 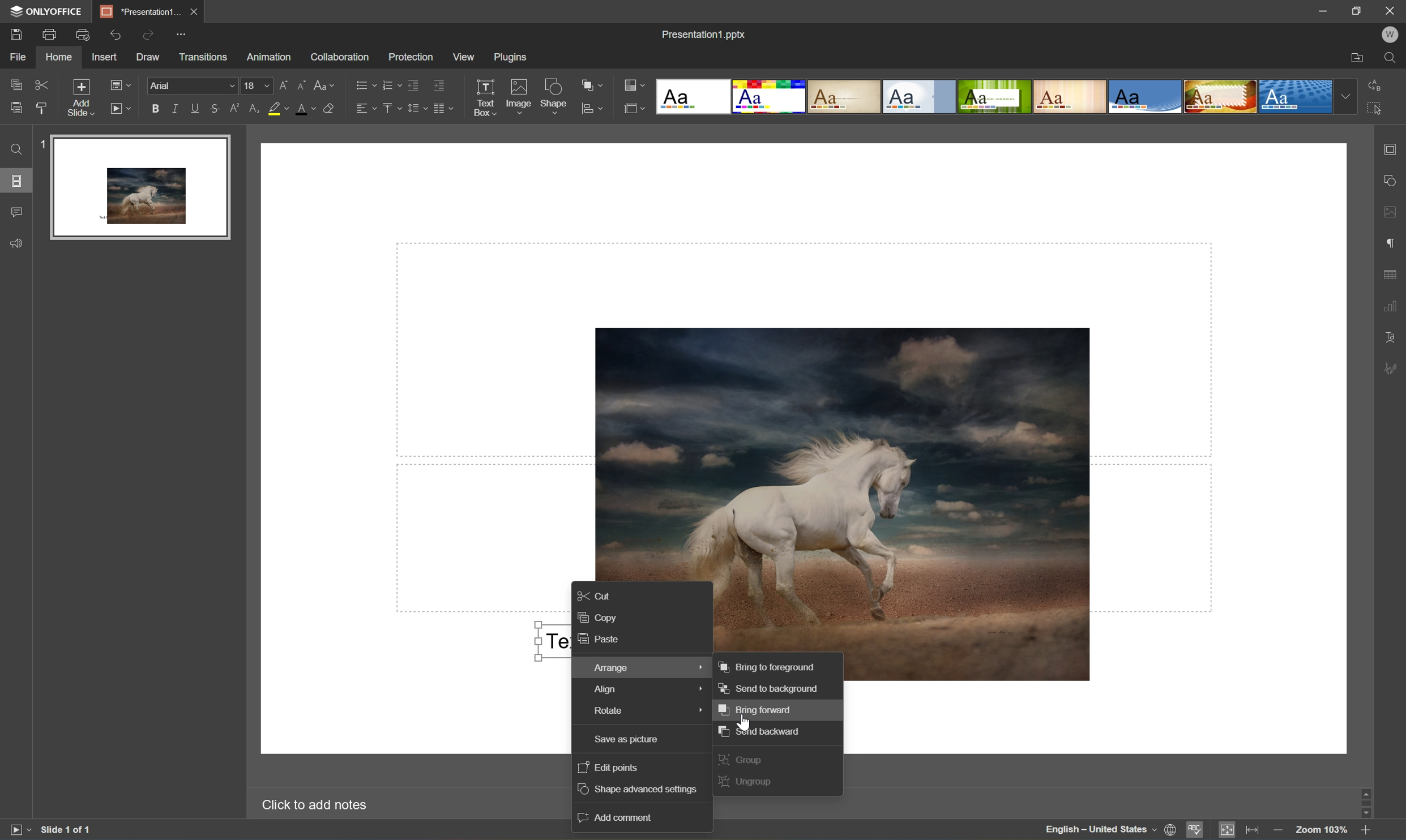 I want to click on Paragraph settings, so click(x=1394, y=242).